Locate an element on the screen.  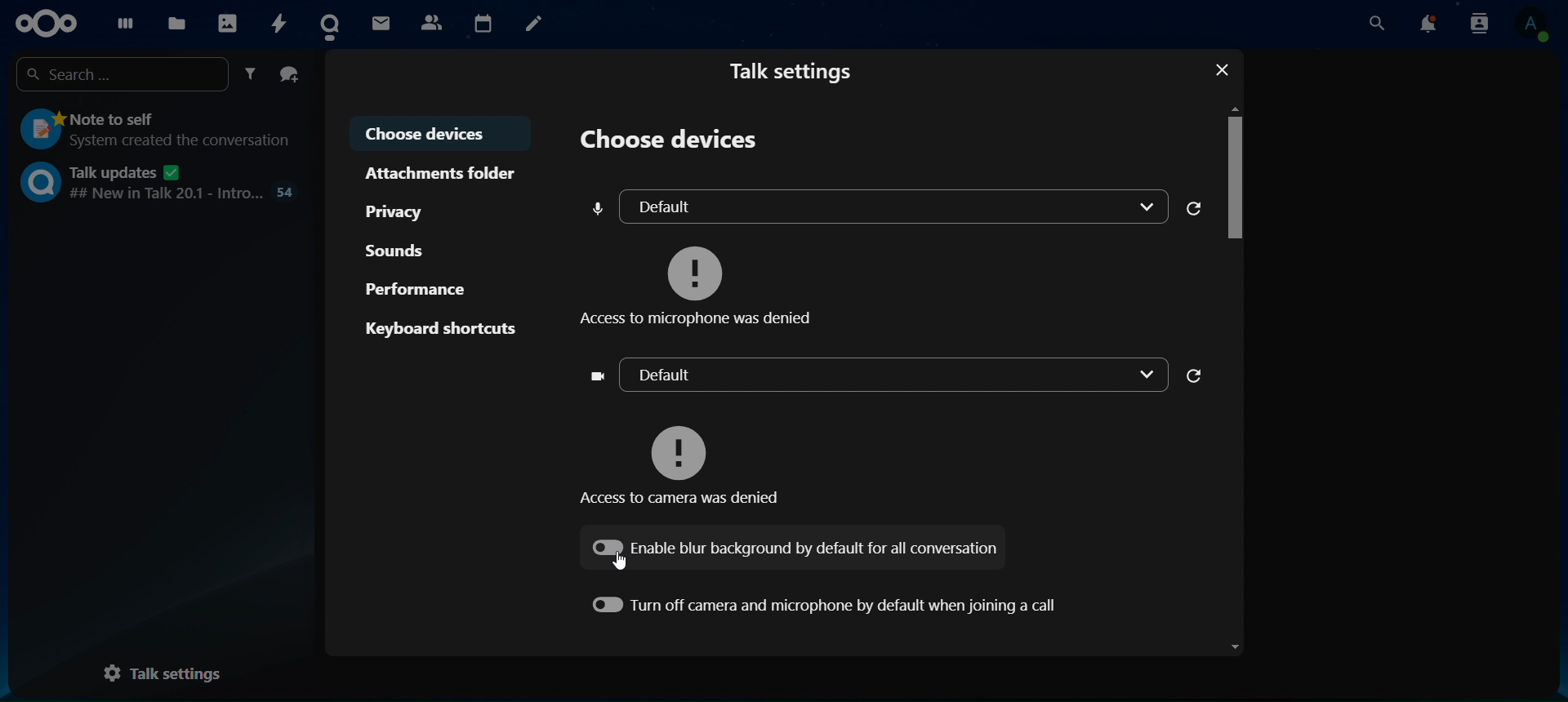
choose devices is located at coordinates (667, 140).